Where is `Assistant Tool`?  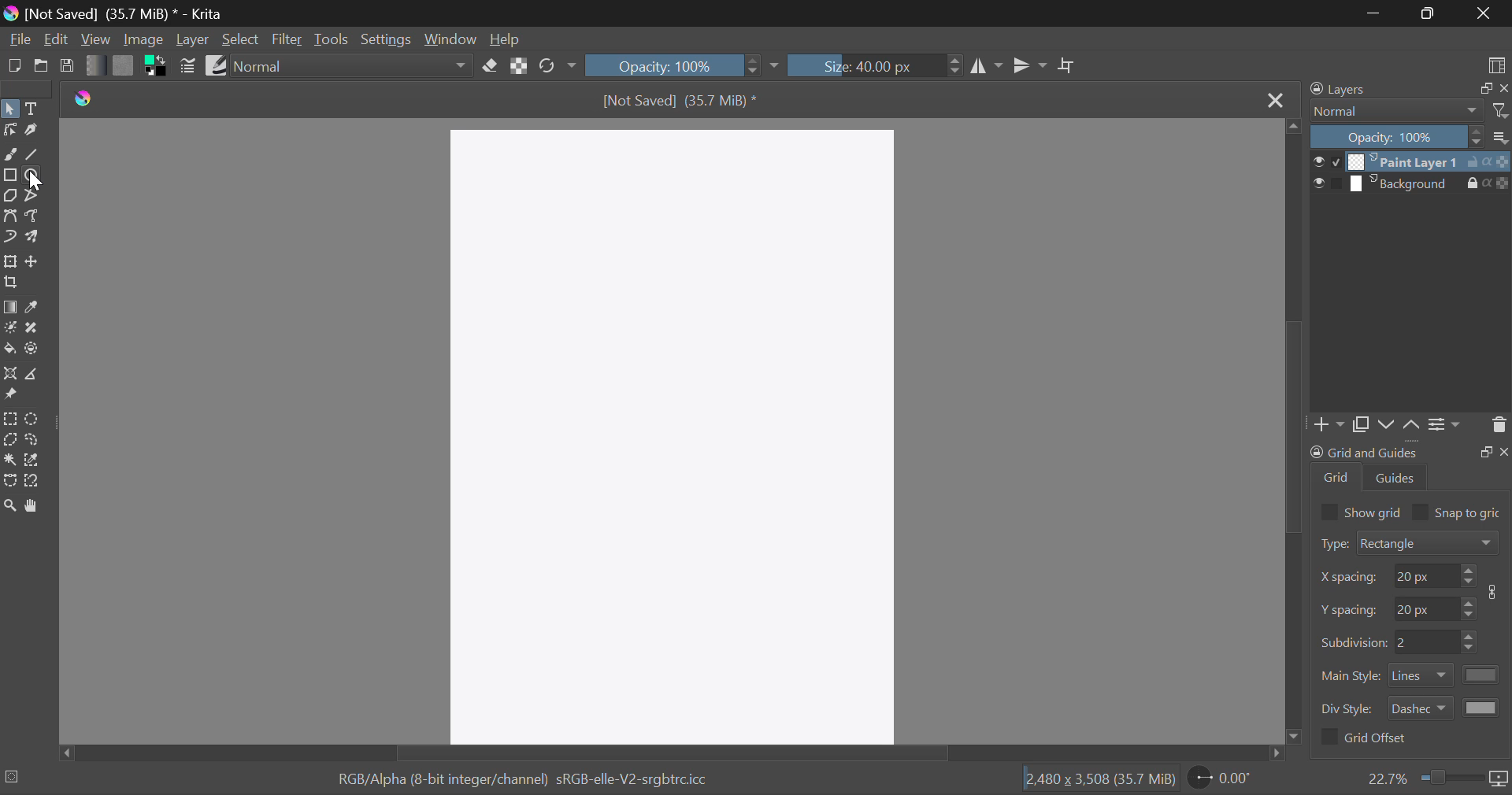
Assistant Tool is located at coordinates (10, 374).